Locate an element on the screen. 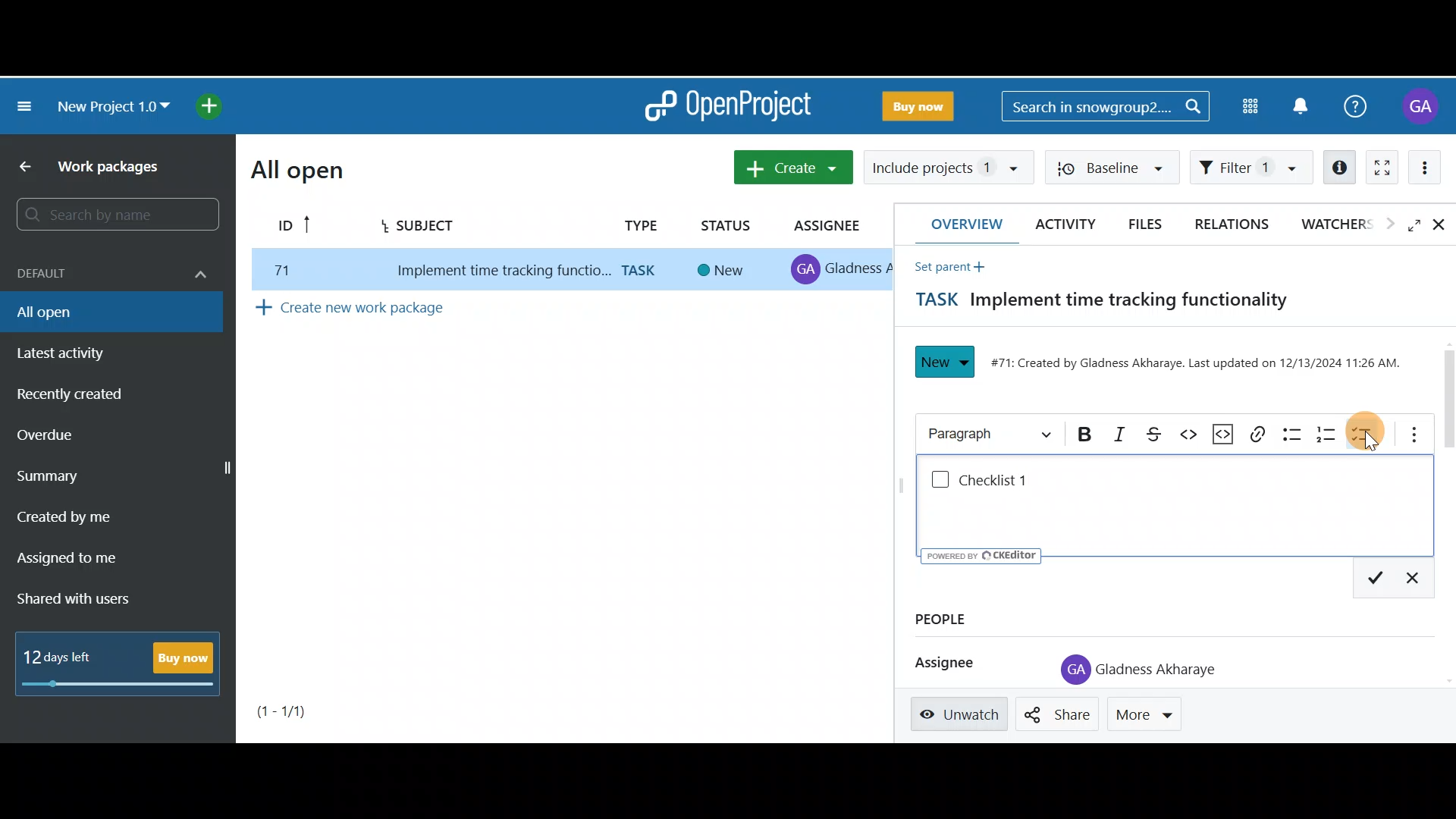 This screenshot has height=819, width=1456. Share is located at coordinates (1059, 714).